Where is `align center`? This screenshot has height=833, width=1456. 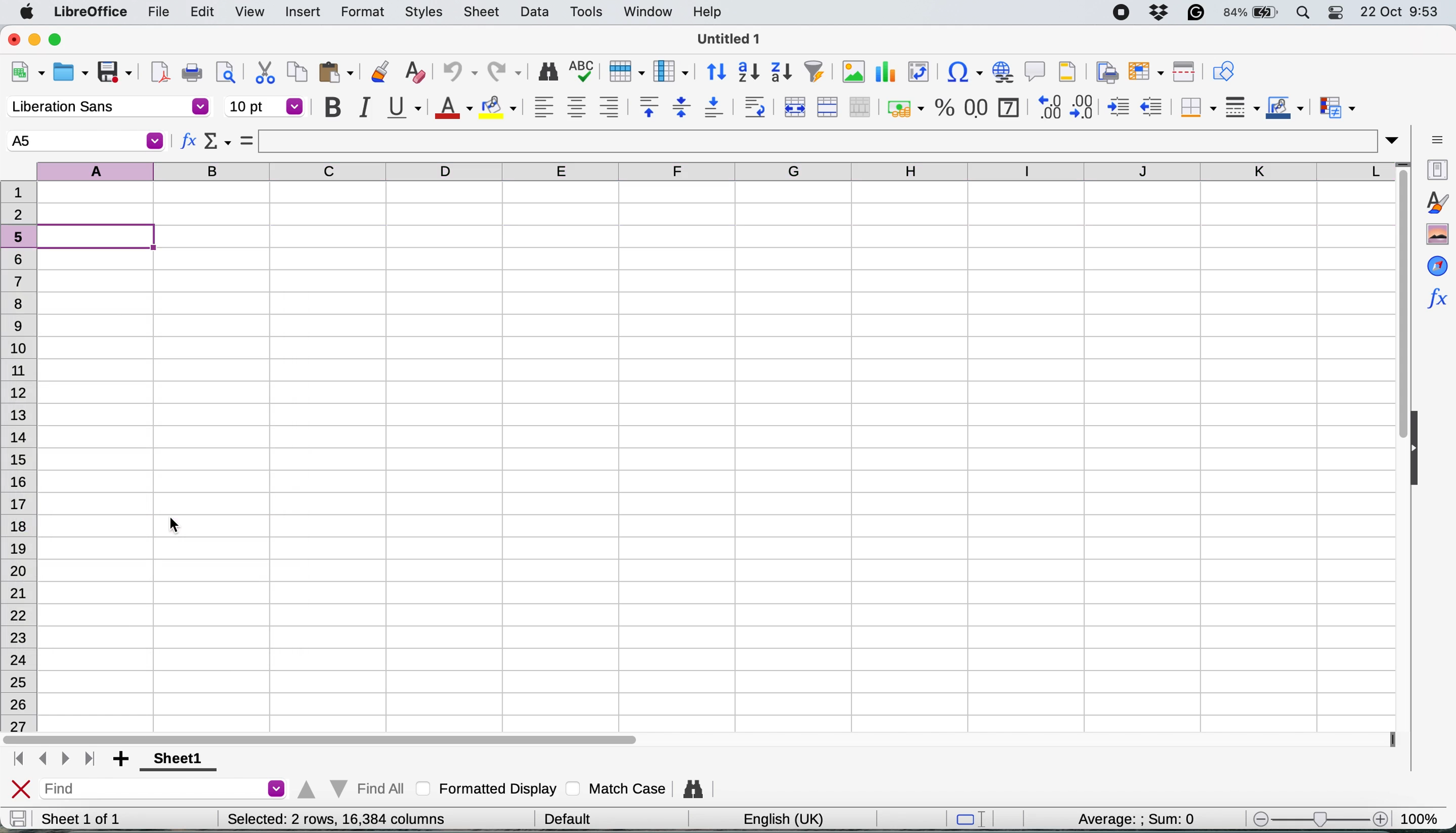 align center is located at coordinates (576, 108).